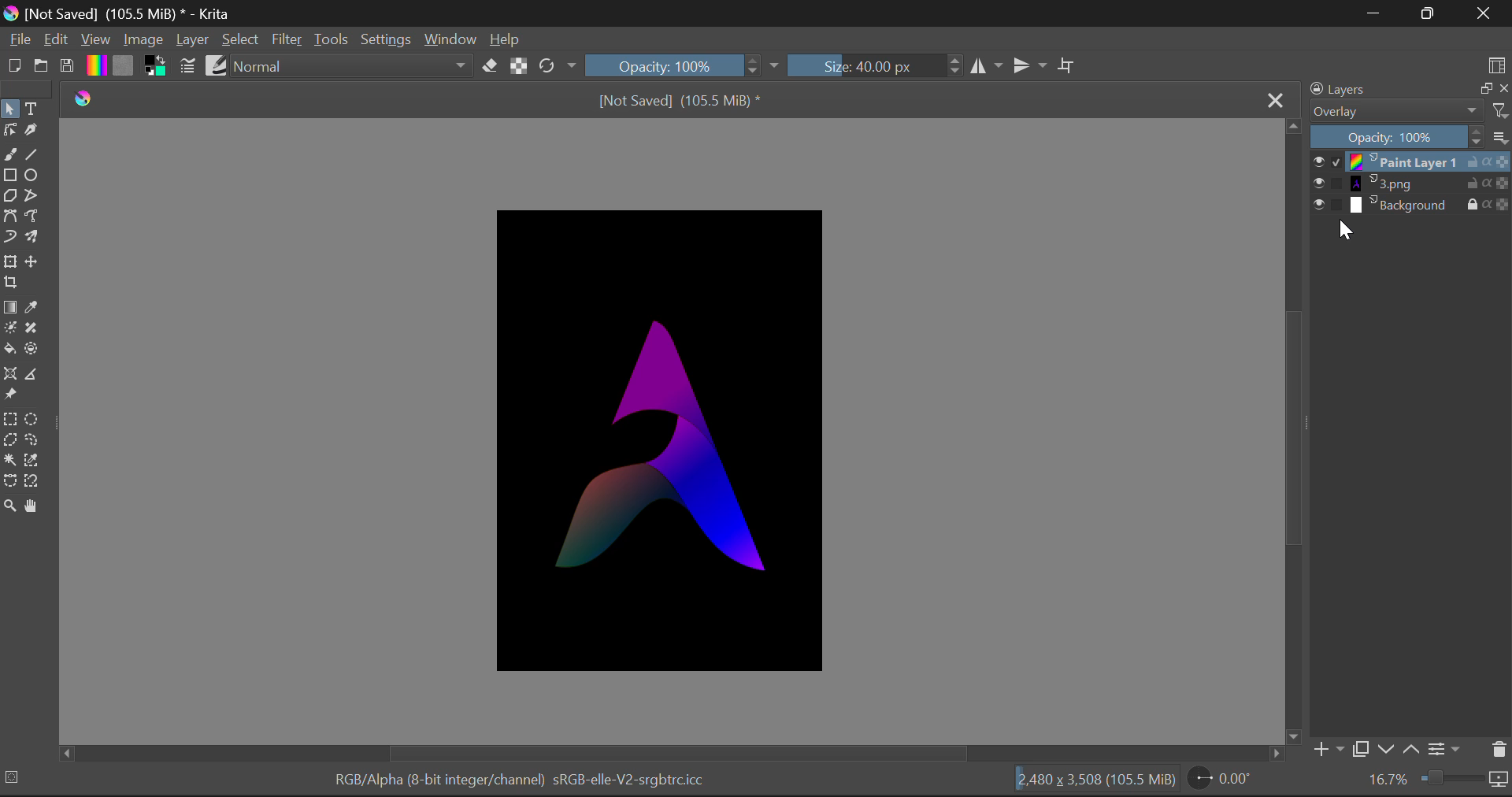 The width and height of the screenshot is (1512, 797). What do you see at coordinates (87, 100) in the screenshot?
I see `logo` at bounding box center [87, 100].